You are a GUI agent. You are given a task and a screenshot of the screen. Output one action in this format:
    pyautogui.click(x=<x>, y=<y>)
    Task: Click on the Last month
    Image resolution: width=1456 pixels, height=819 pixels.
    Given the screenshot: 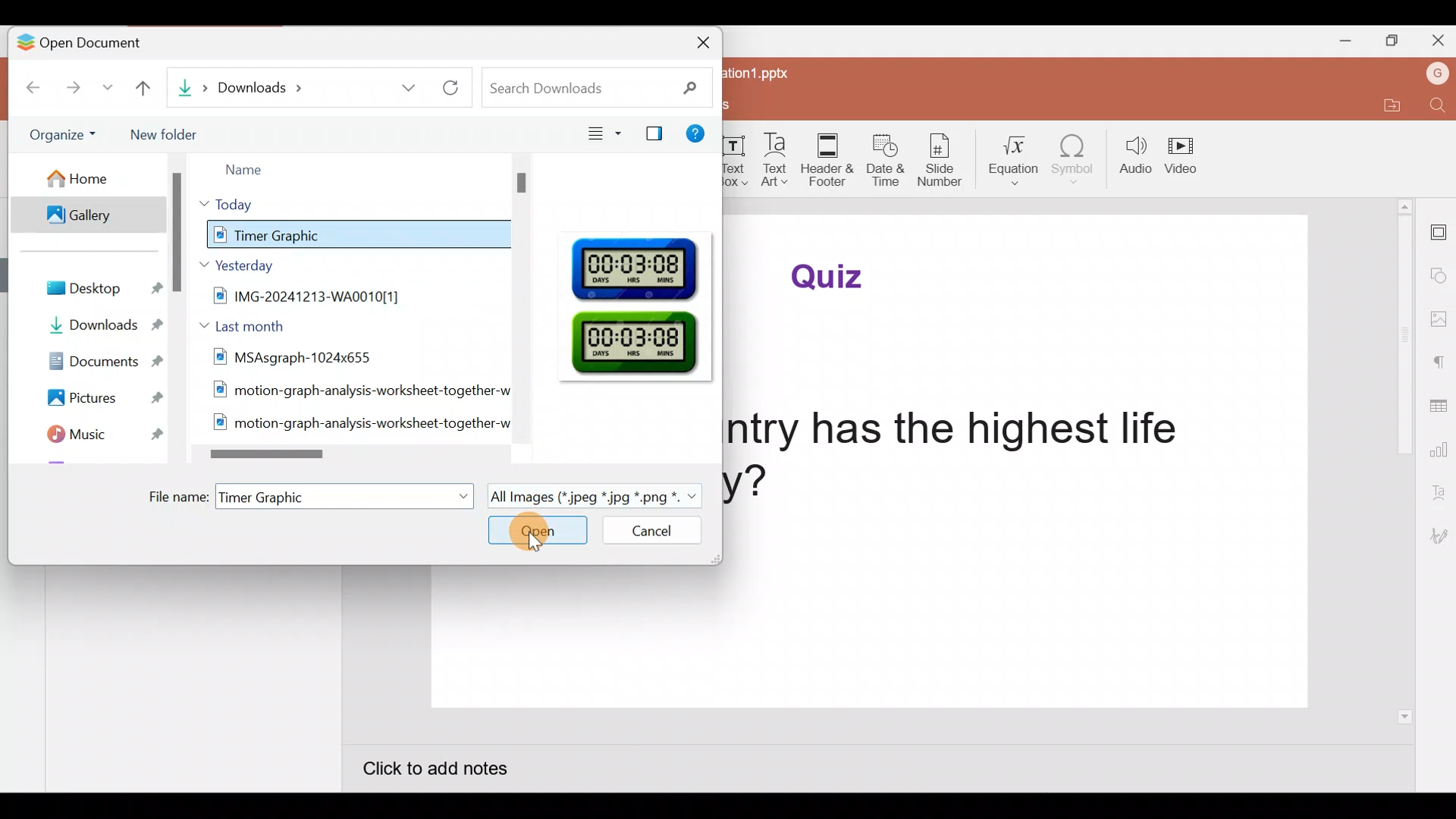 What is the action you would take?
    pyautogui.click(x=249, y=324)
    